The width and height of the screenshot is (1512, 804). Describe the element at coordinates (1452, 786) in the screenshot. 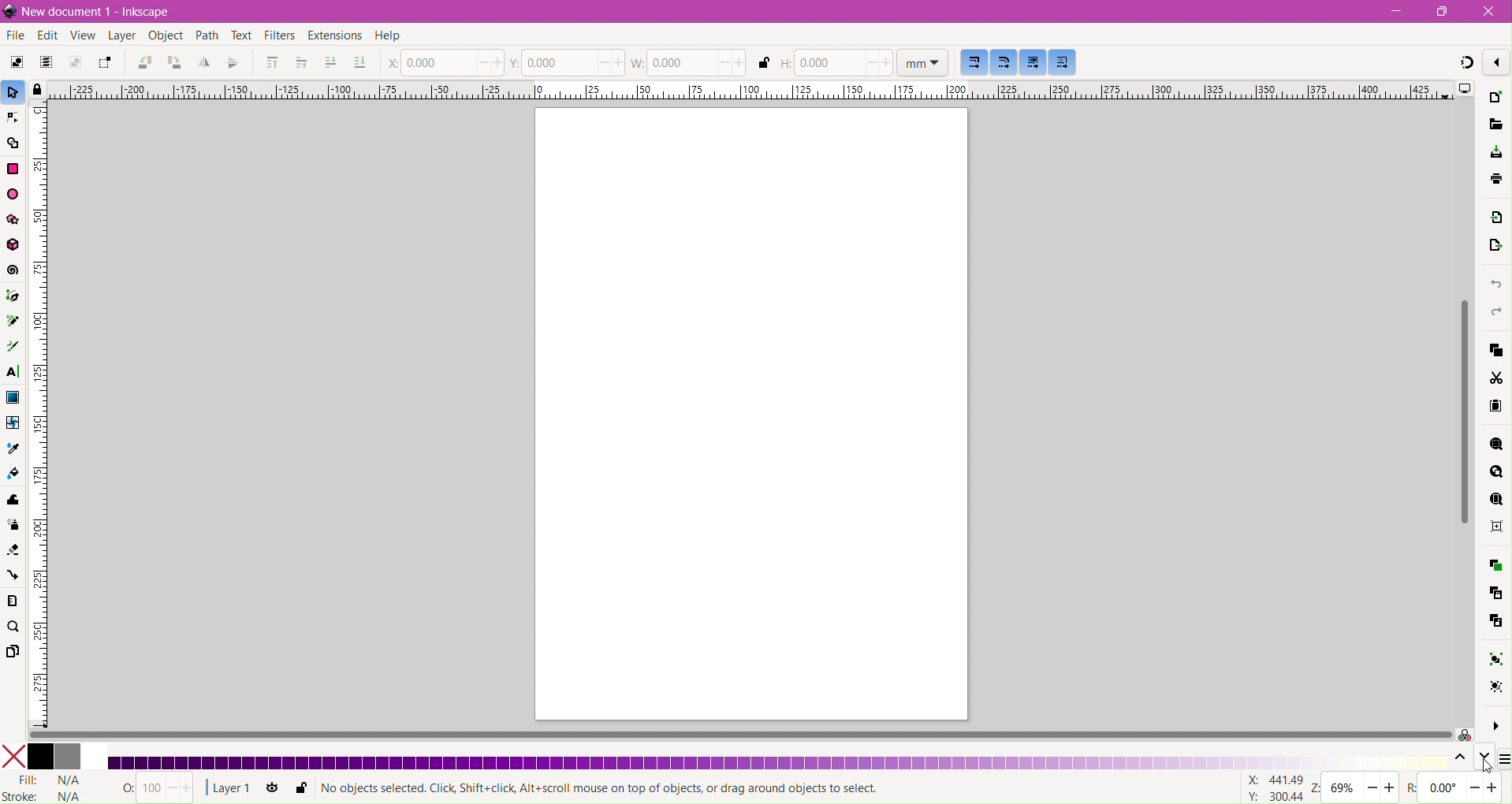

I see `zoom` at that location.